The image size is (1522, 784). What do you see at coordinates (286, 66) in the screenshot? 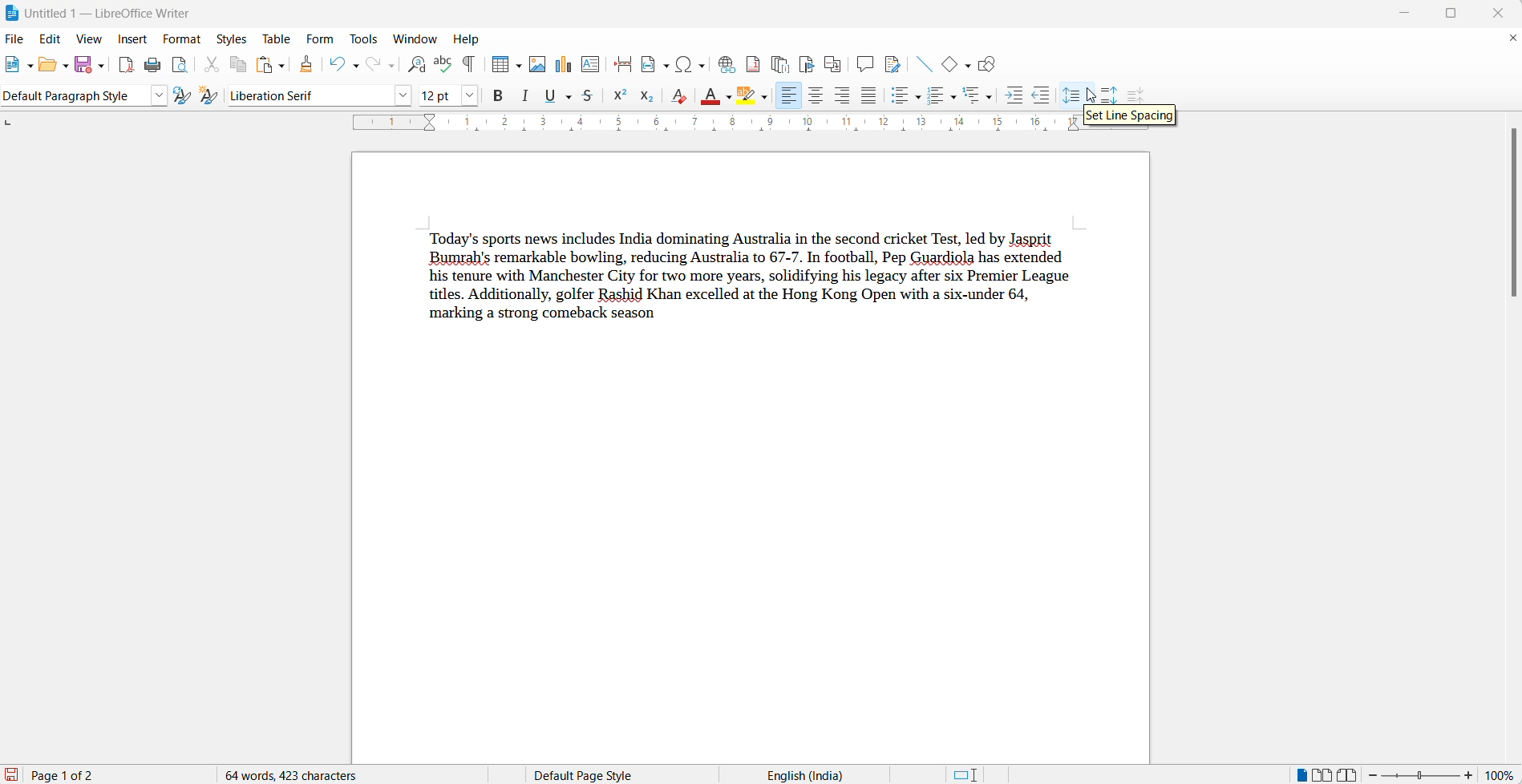
I see `paste options` at bounding box center [286, 66].